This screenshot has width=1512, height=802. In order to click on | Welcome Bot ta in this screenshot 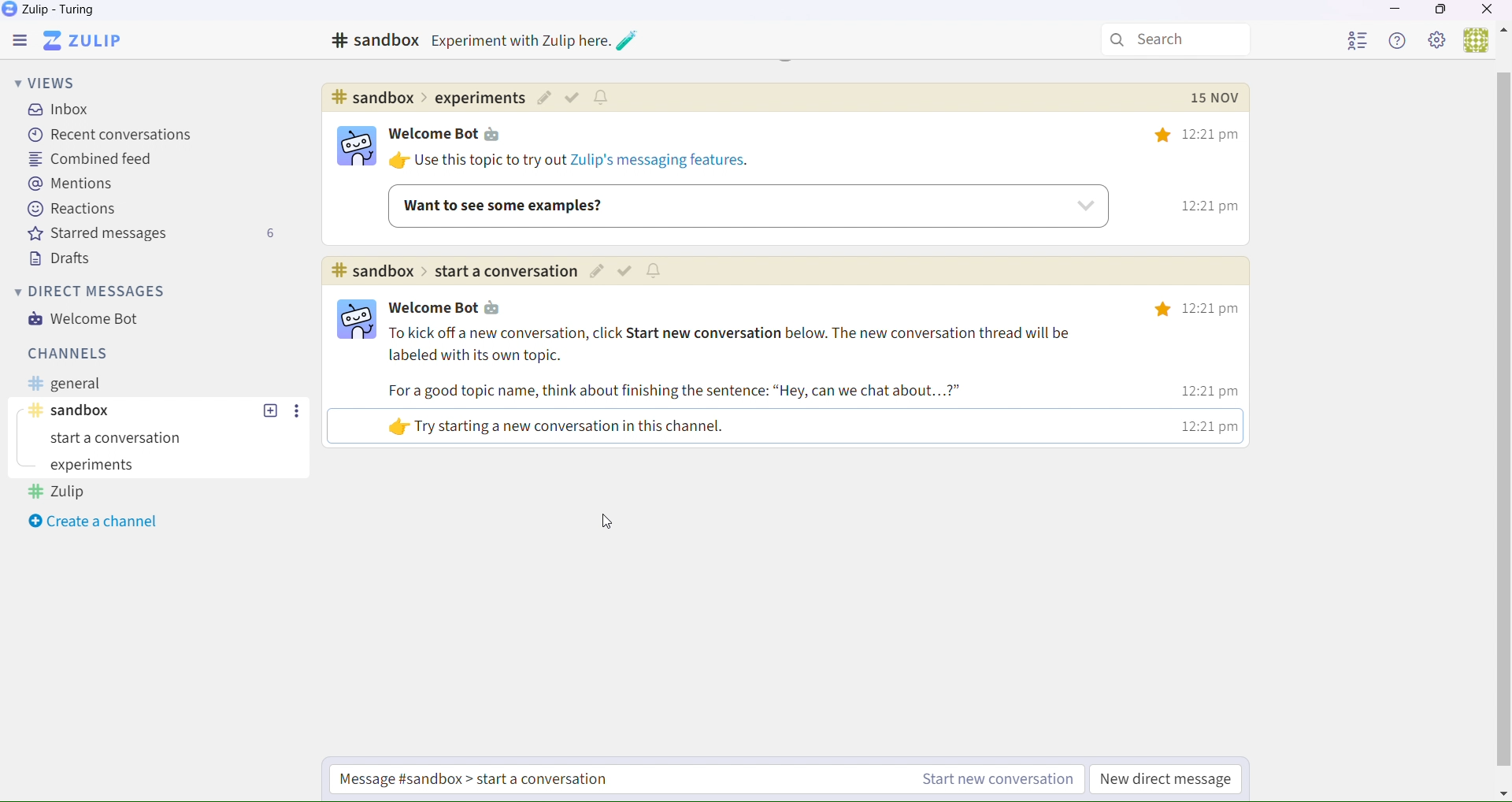, I will do `click(458, 306)`.